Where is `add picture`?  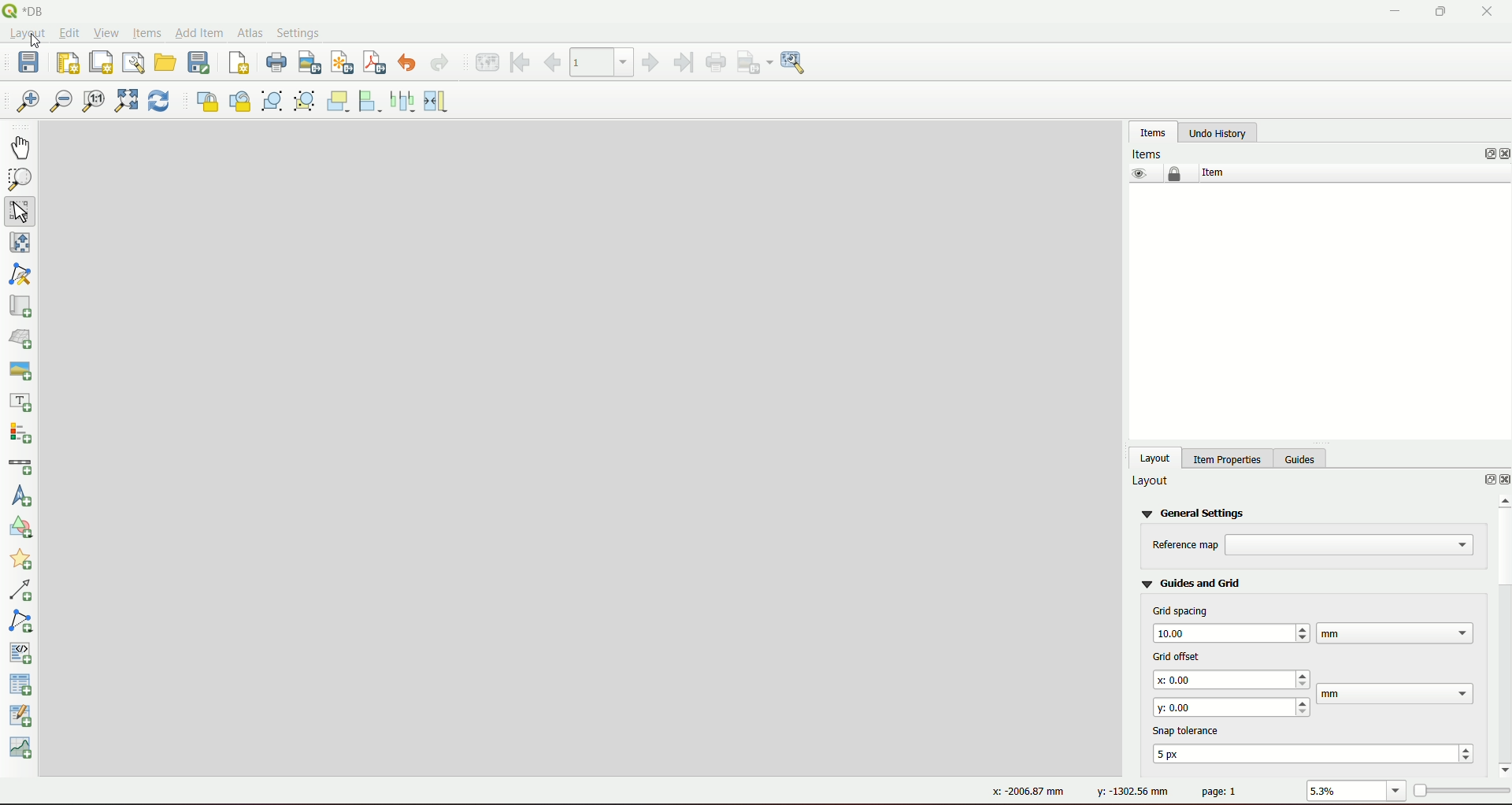
add picture is located at coordinates (20, 368).